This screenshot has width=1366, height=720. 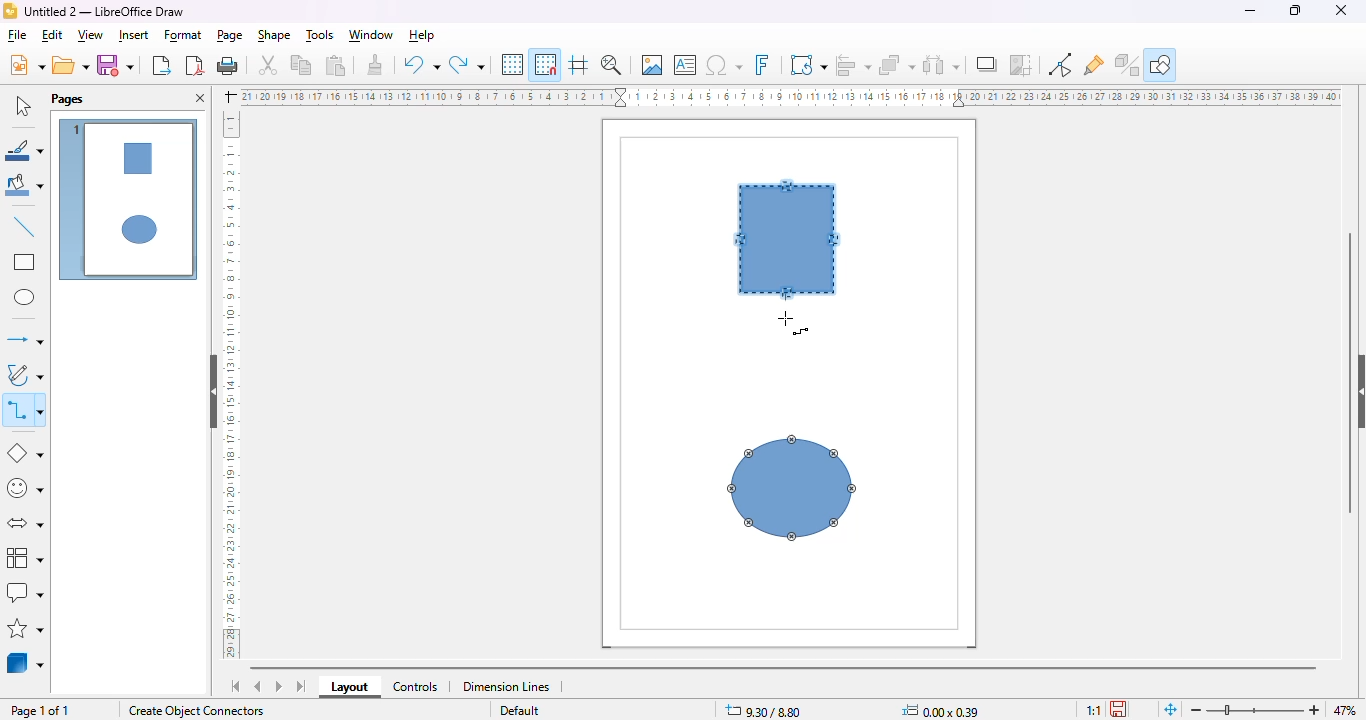 What do you see at coordinates (23, 104) in the screenshot?
I see `select` at bounding box center [23, 104].